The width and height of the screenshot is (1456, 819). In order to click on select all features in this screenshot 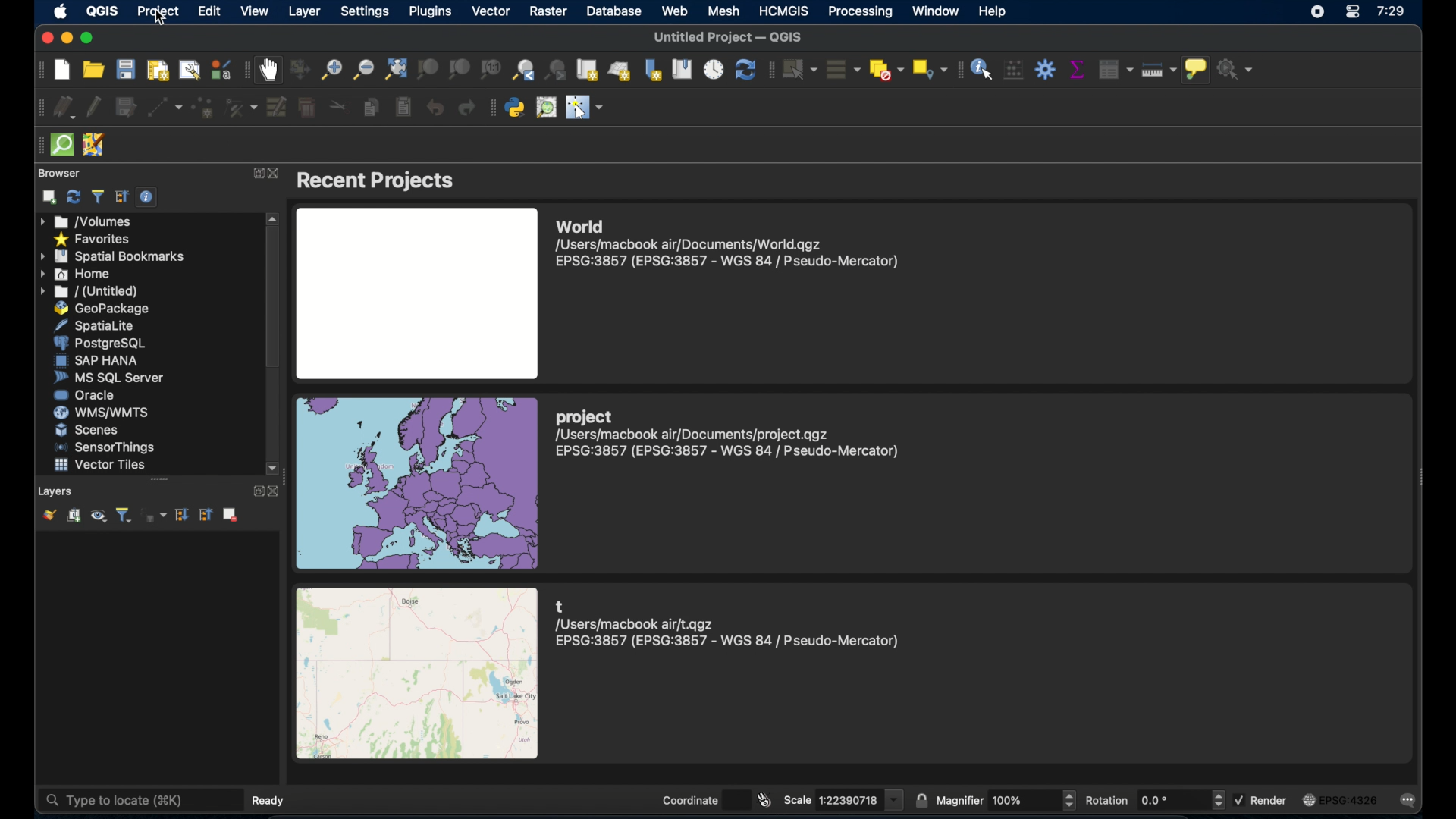, I will do `click(843, 70)`.